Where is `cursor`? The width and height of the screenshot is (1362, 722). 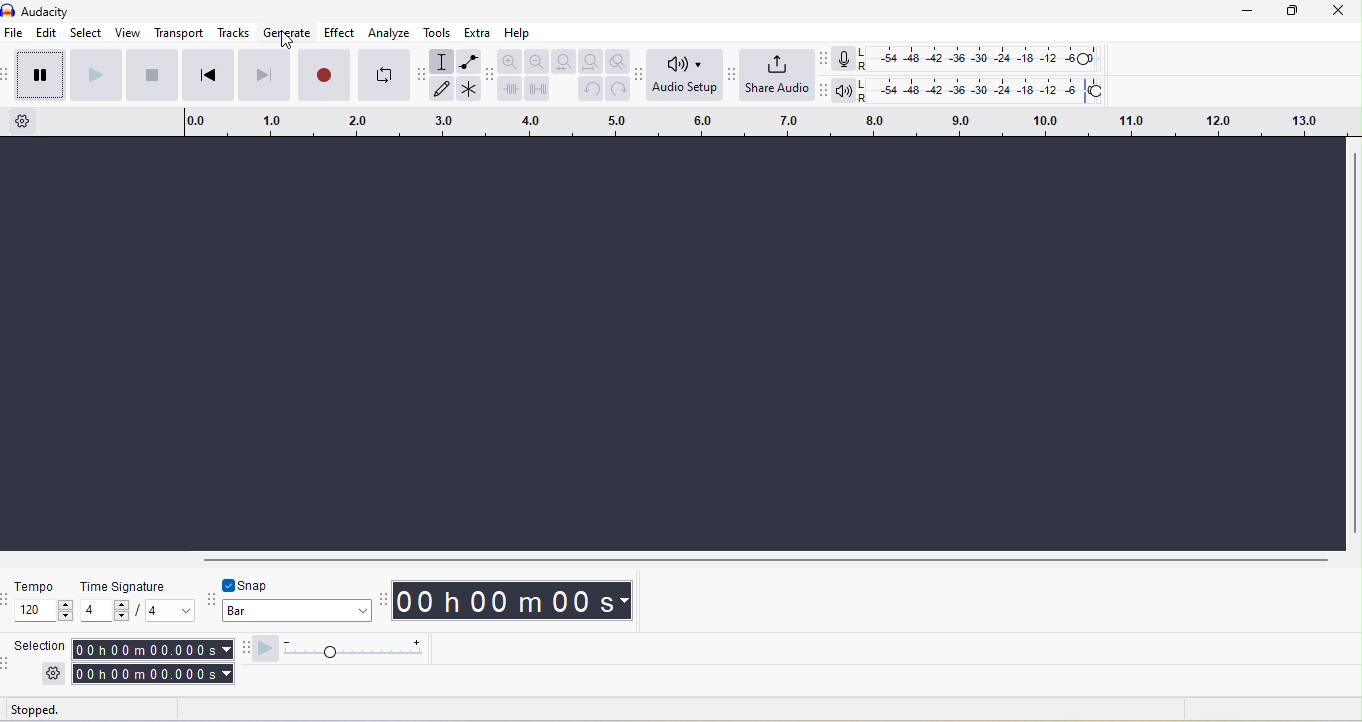
cursor is located at coordinates (287, 42).